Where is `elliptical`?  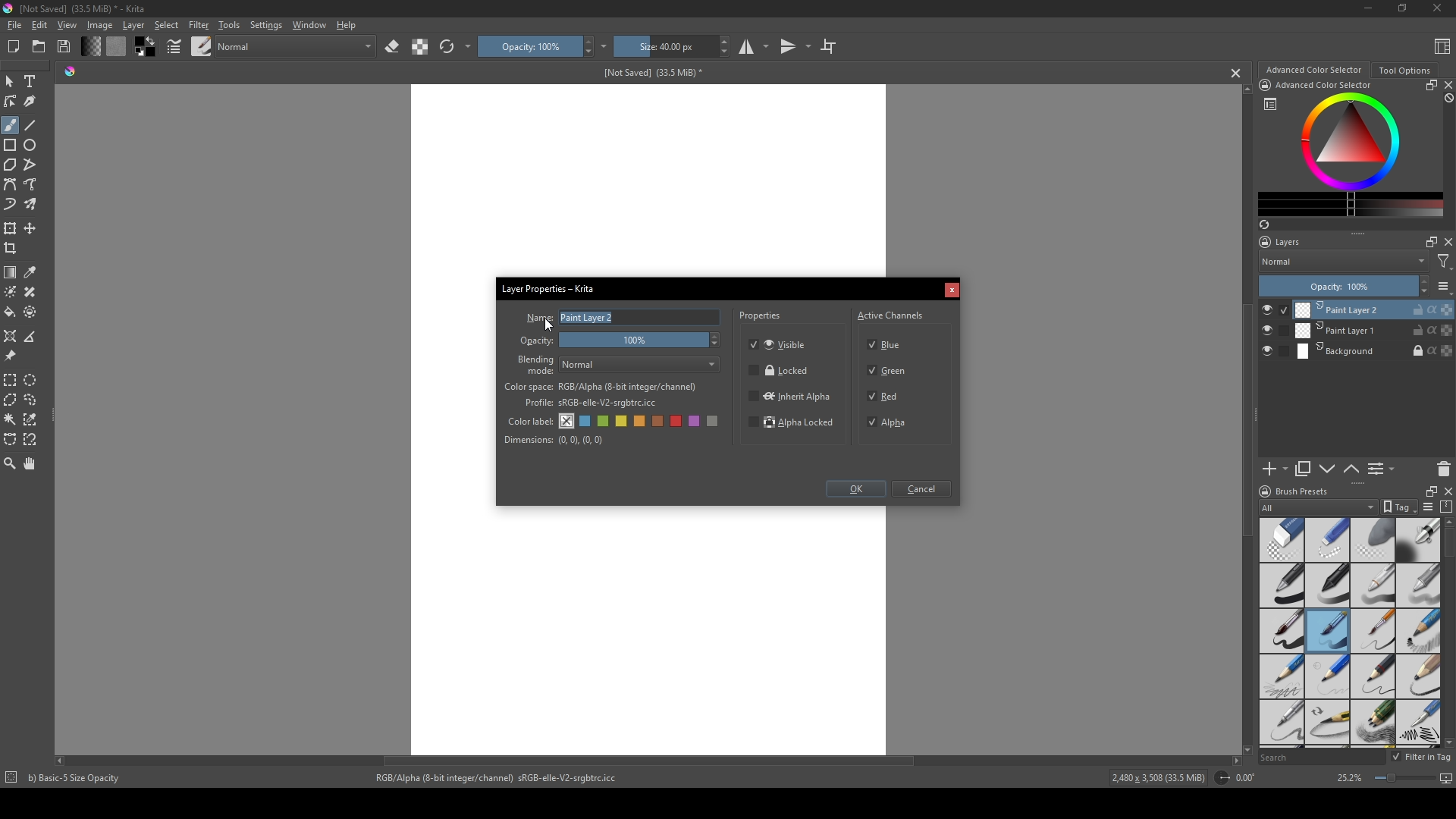
elliptical is located at coordinates (33, 379).